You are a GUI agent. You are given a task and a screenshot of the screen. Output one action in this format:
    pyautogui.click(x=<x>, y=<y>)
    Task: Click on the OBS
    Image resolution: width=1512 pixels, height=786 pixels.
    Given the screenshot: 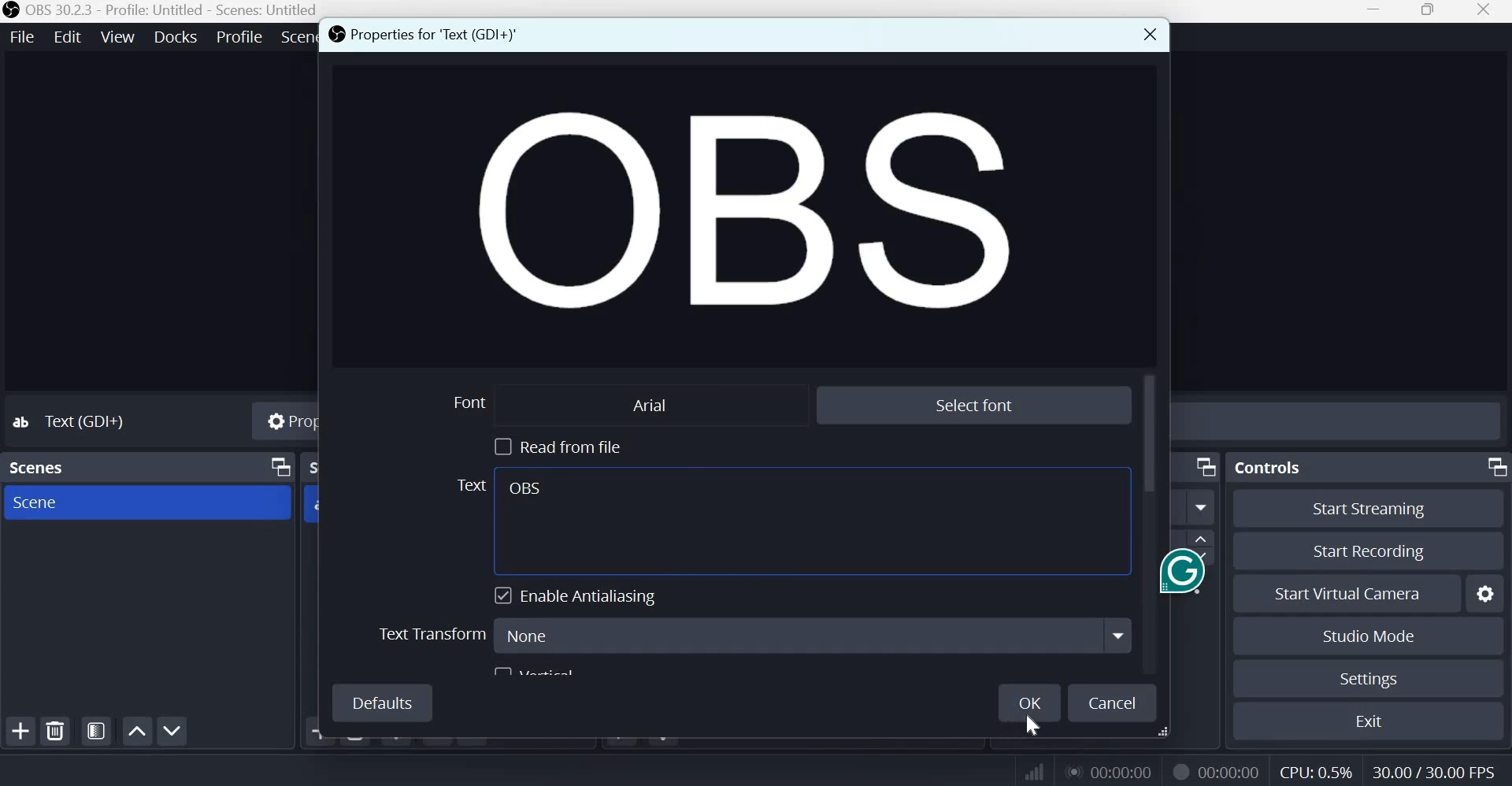 What is the action you would take?
    pyautogui.click(x=526, y=489)
    